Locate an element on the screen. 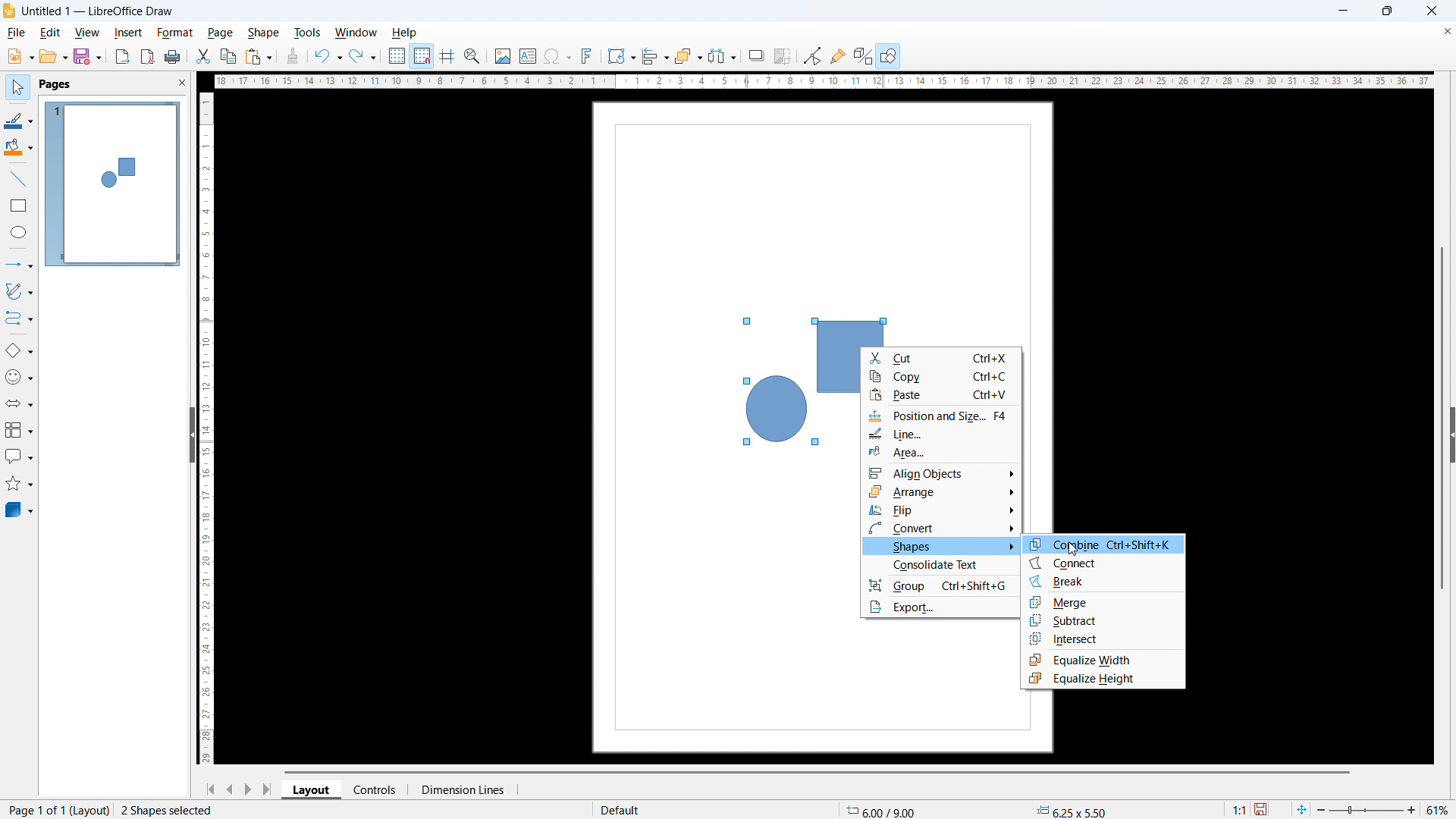 The width and height of the screenshot is (1456, 819). pages is located at coordinates (56, 83).